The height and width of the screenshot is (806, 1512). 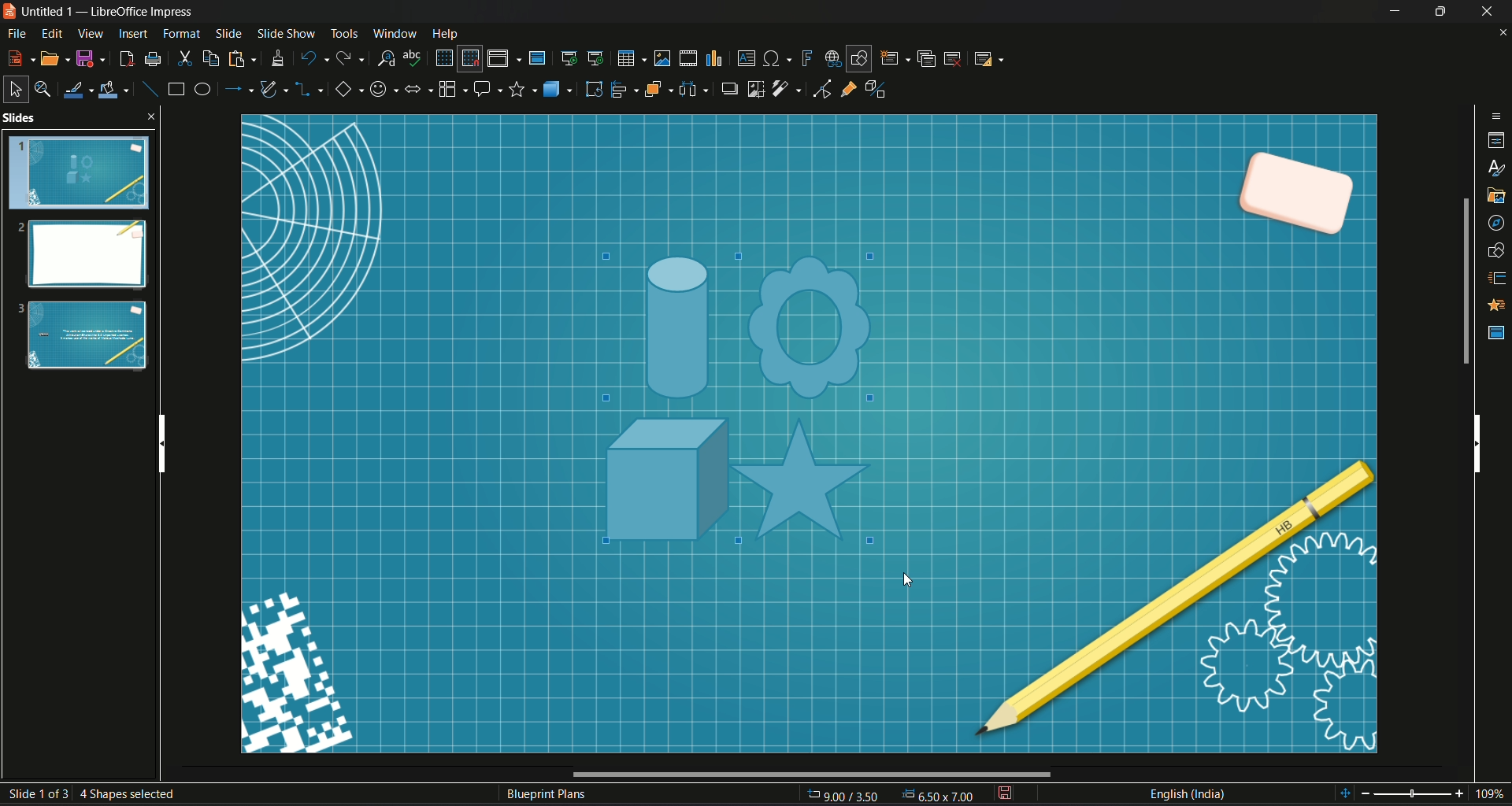 What do you see at coordinates (276, 90) in the screenshot?
I see `curves and polygon` at bounding box center [276, 90].